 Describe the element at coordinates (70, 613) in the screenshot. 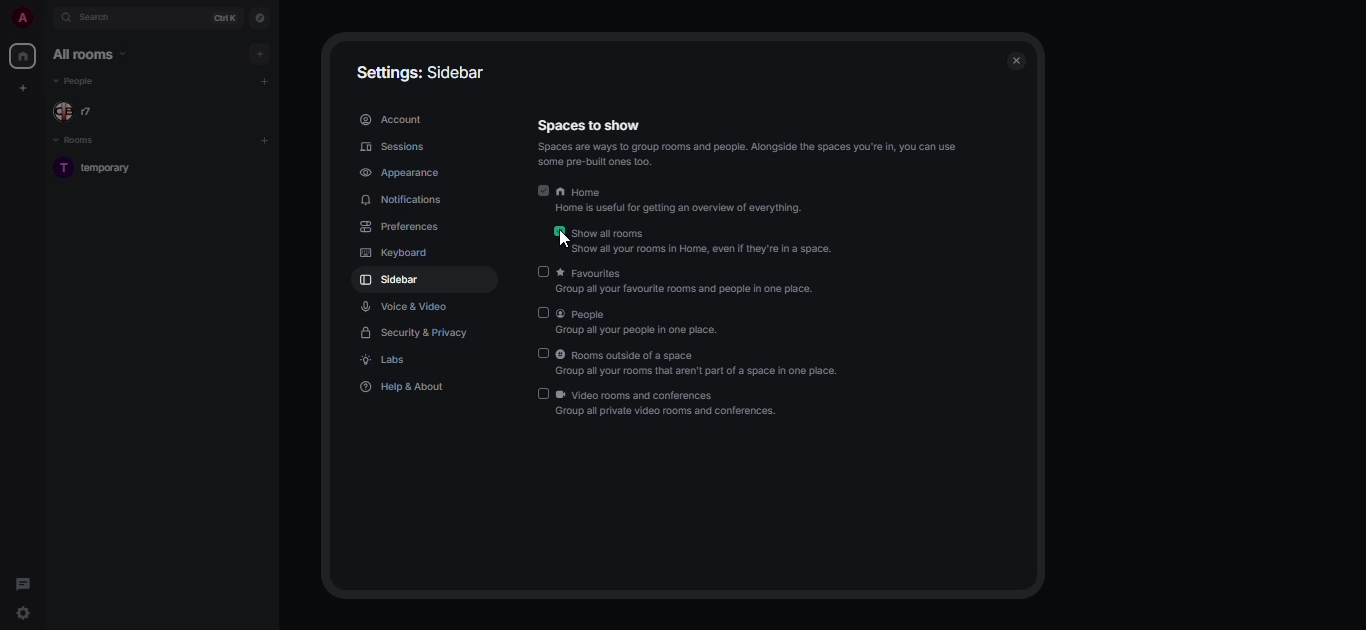

I see `quick settings` at that location.